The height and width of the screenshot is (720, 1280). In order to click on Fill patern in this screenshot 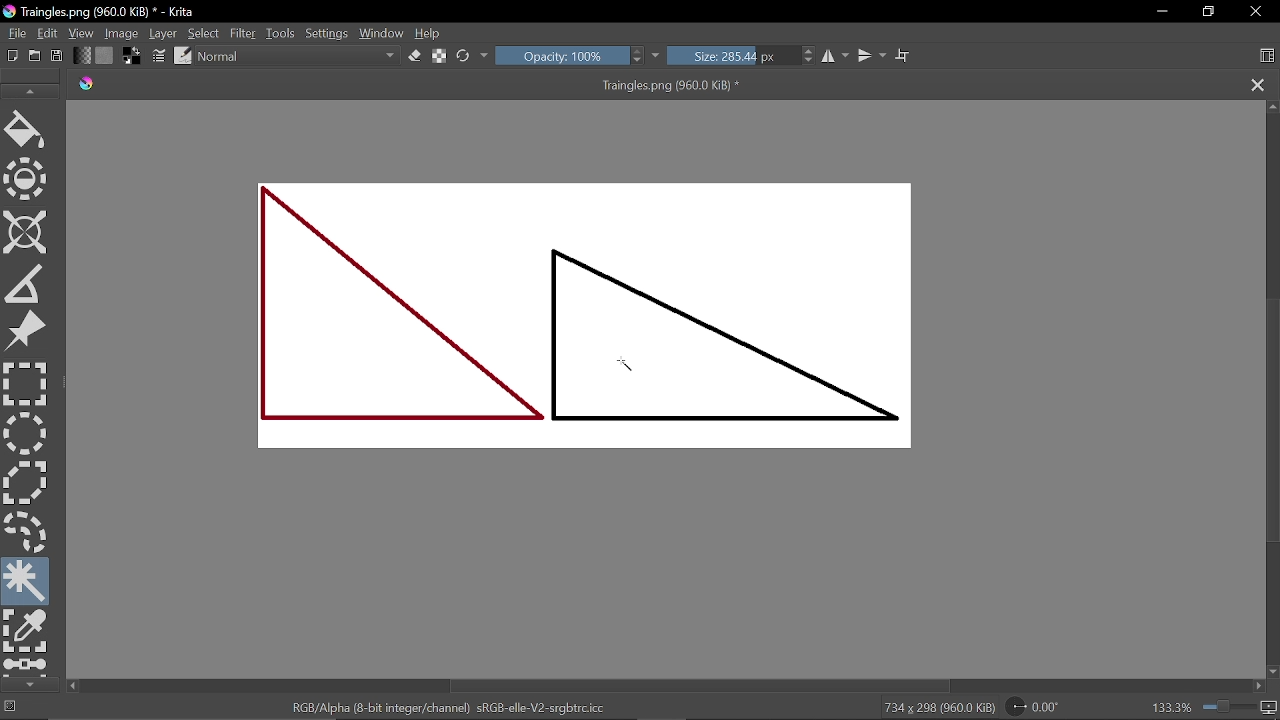, I will do `click(105, 56)`.